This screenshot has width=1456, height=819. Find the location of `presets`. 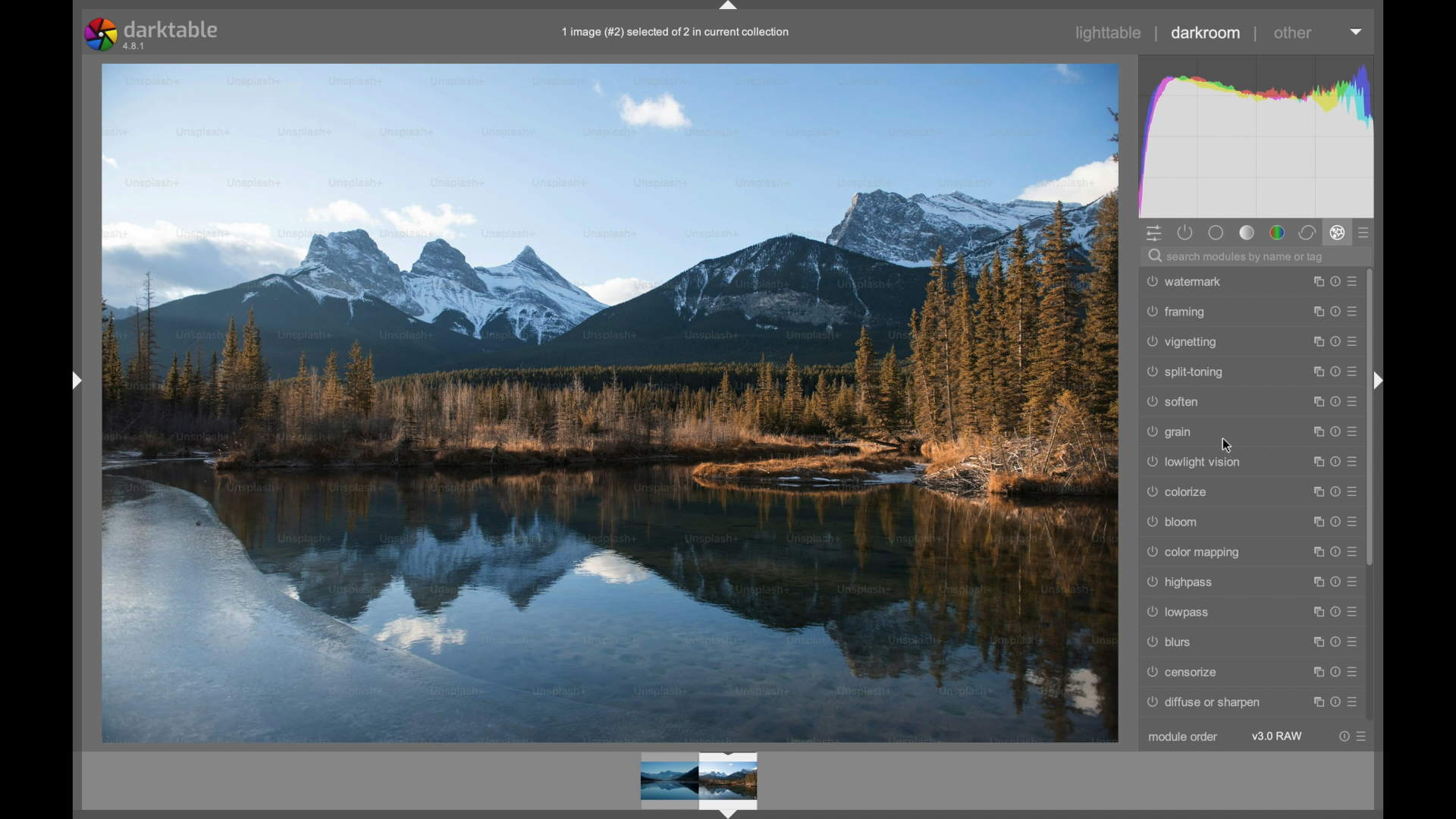

presets is located at coordinates (1353, 402).